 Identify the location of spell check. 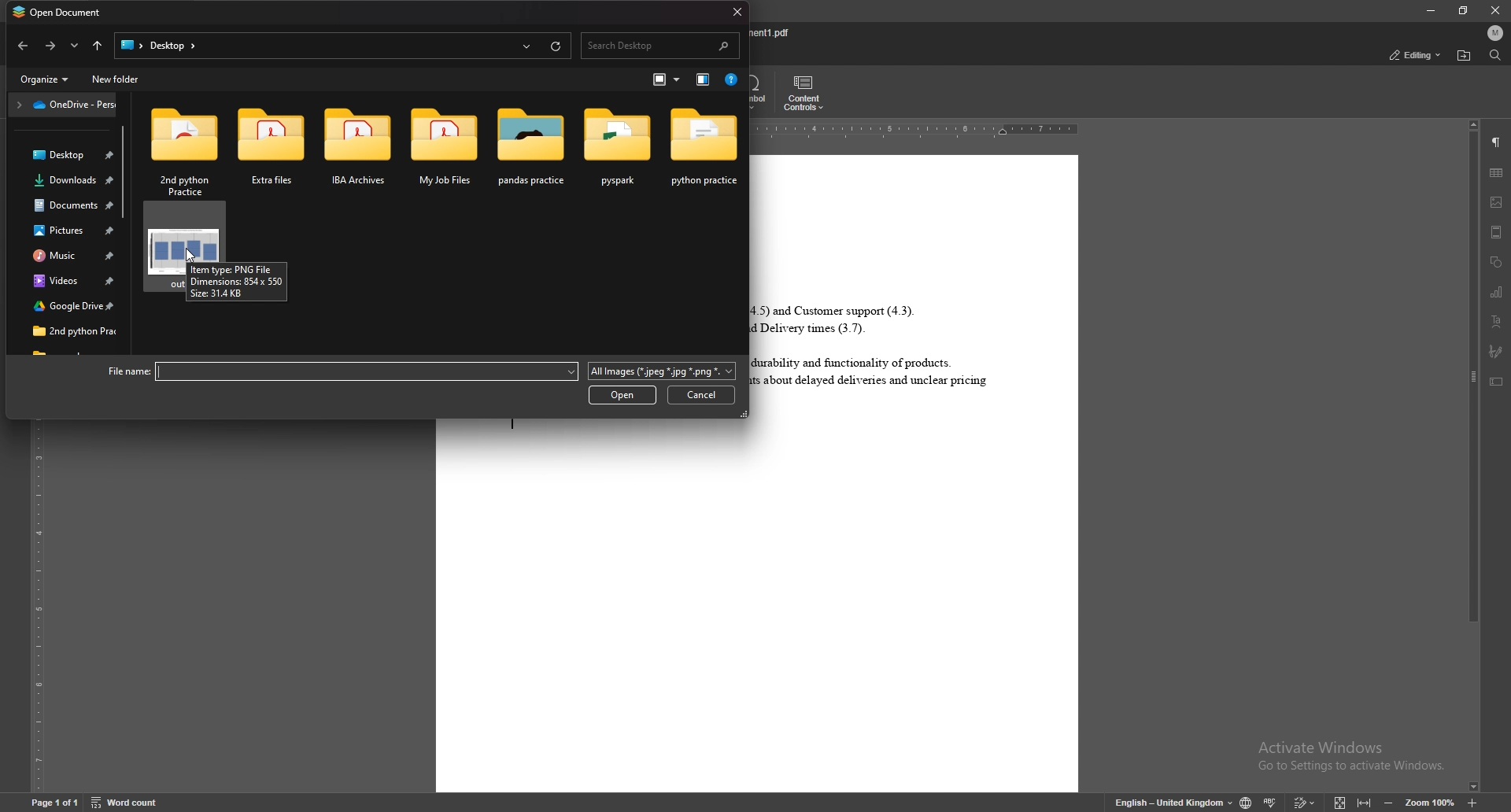
(1271, 803).